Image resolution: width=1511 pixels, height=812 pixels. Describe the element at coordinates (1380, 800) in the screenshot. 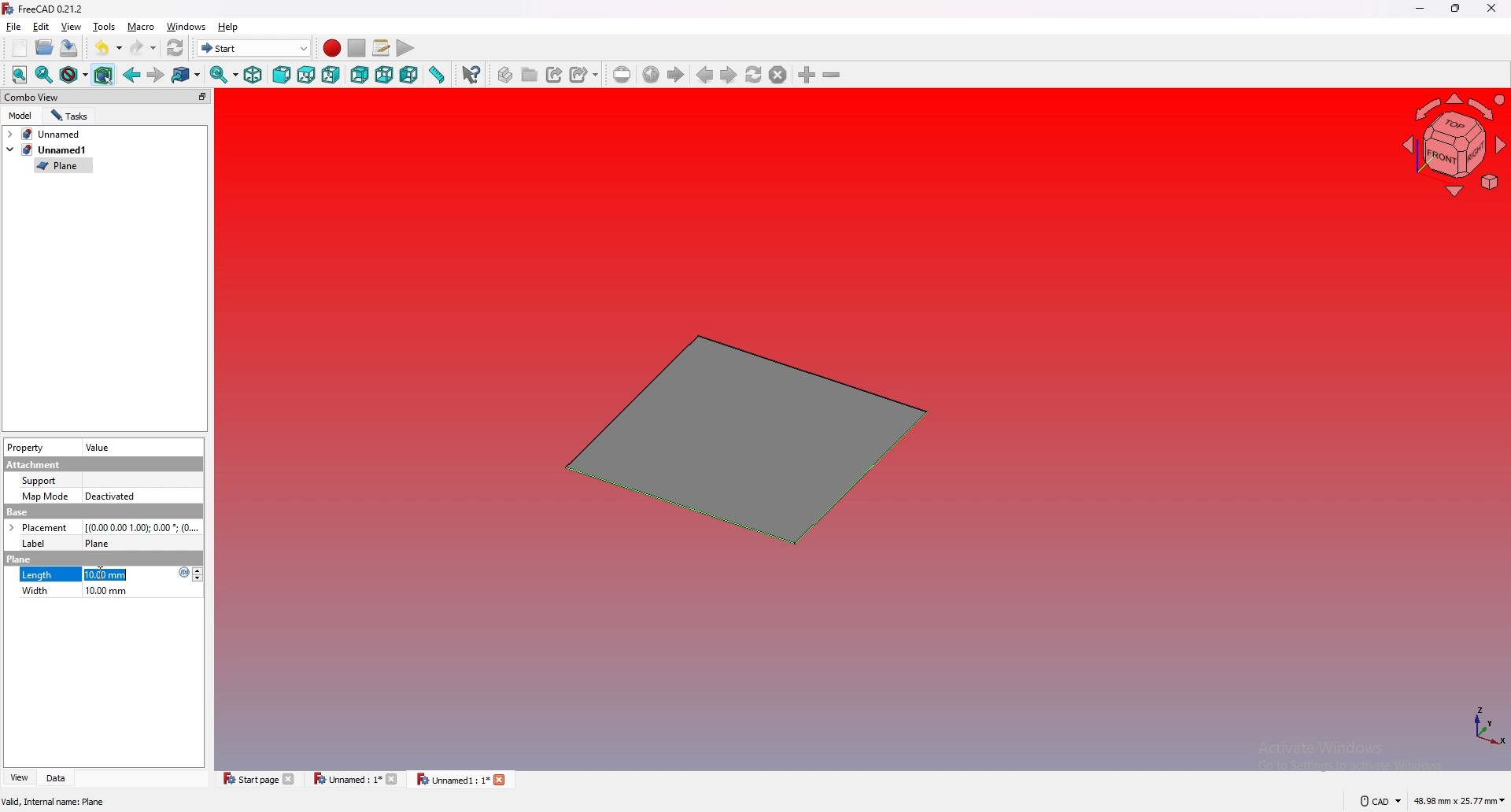

I see `cad navigation` at that location.